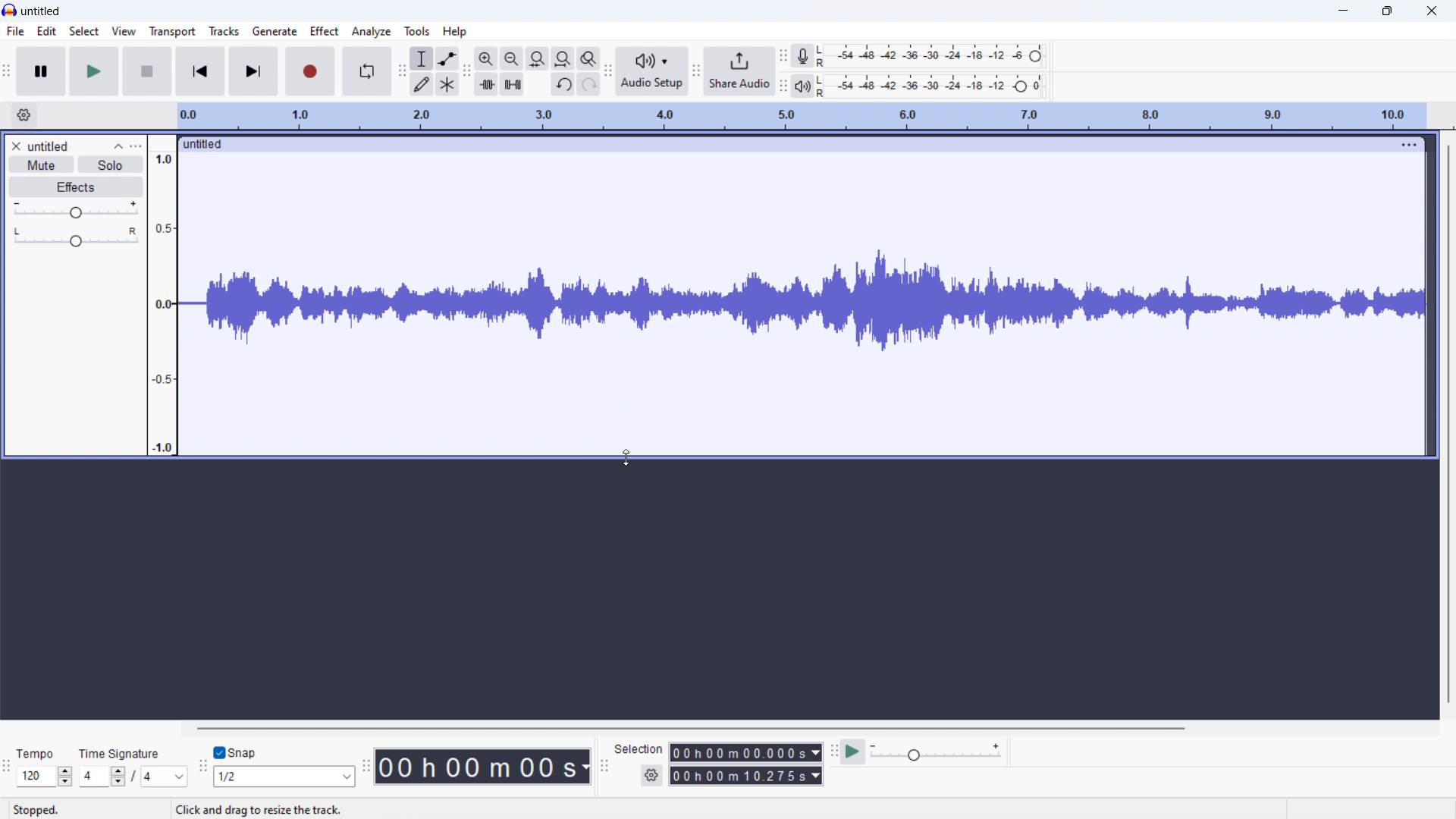 The image size is (1456, 819). I want to click on selection toolbar, so click(604, 767).